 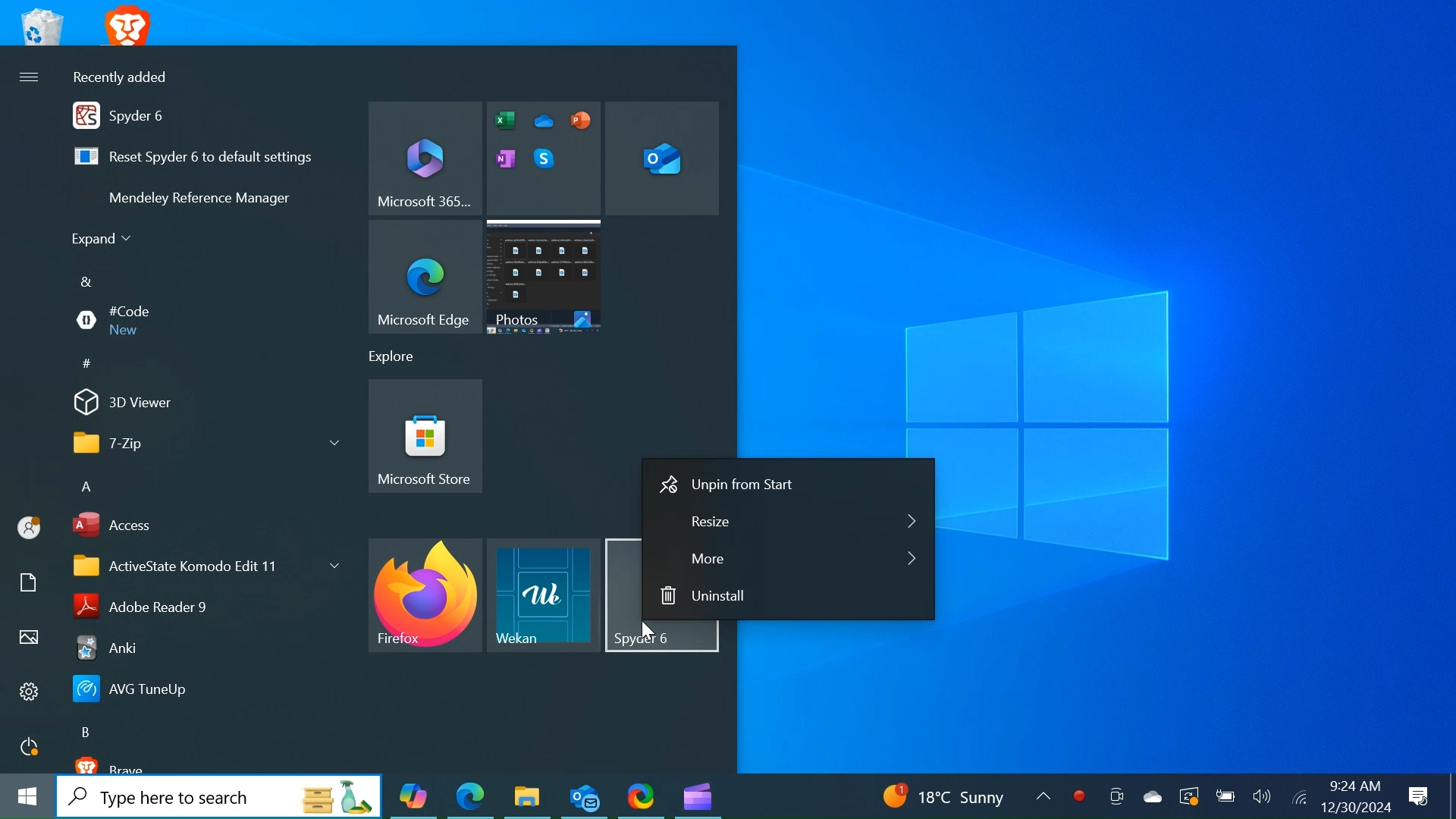 What do you see at coordinates (208, 158) in the screenshot?
I see `Reset Spyder to default settings` at bounding box center [208, 158].